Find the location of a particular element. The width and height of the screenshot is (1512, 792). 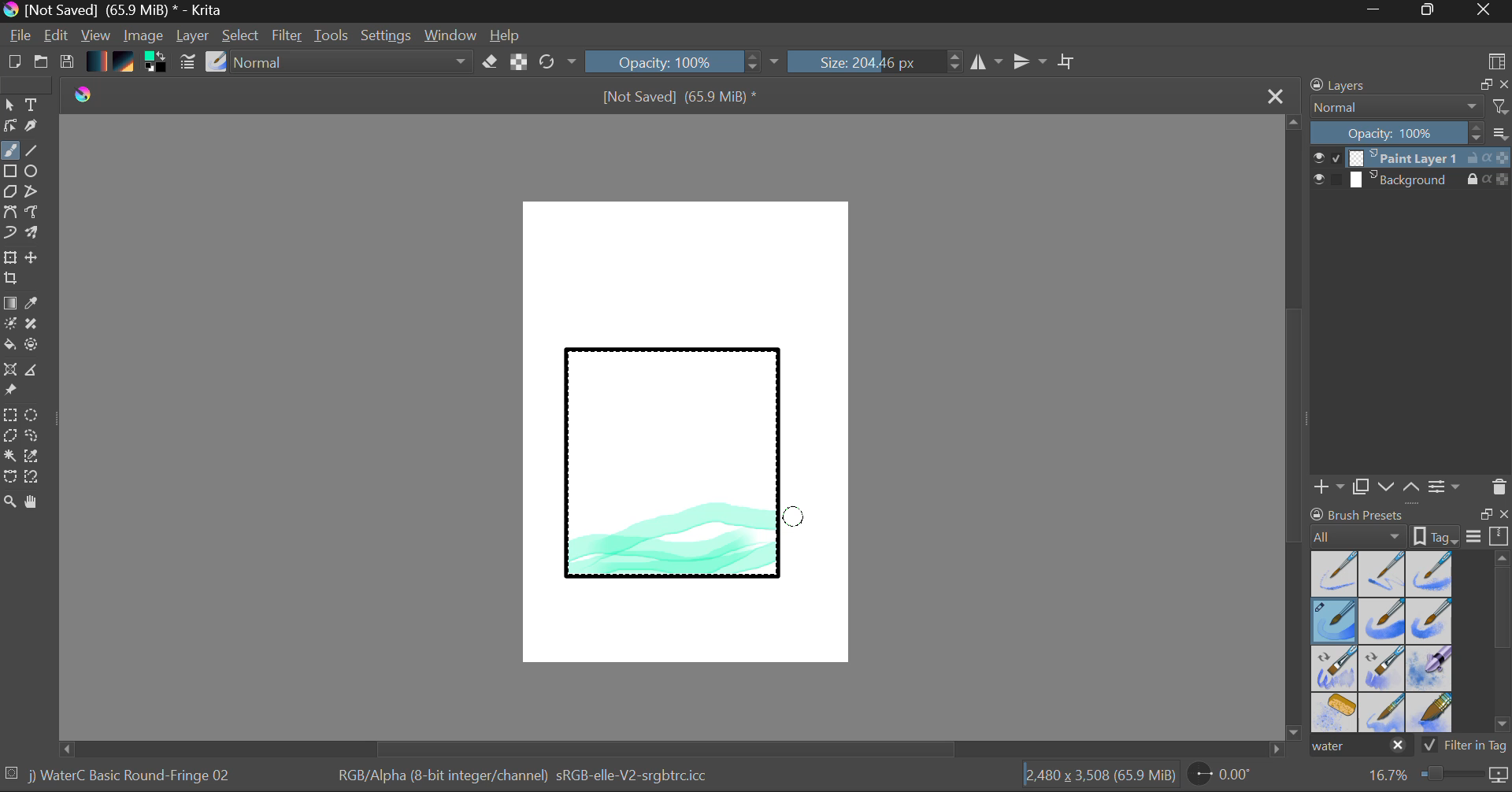

Eraser is located at coordinates (491, 62).